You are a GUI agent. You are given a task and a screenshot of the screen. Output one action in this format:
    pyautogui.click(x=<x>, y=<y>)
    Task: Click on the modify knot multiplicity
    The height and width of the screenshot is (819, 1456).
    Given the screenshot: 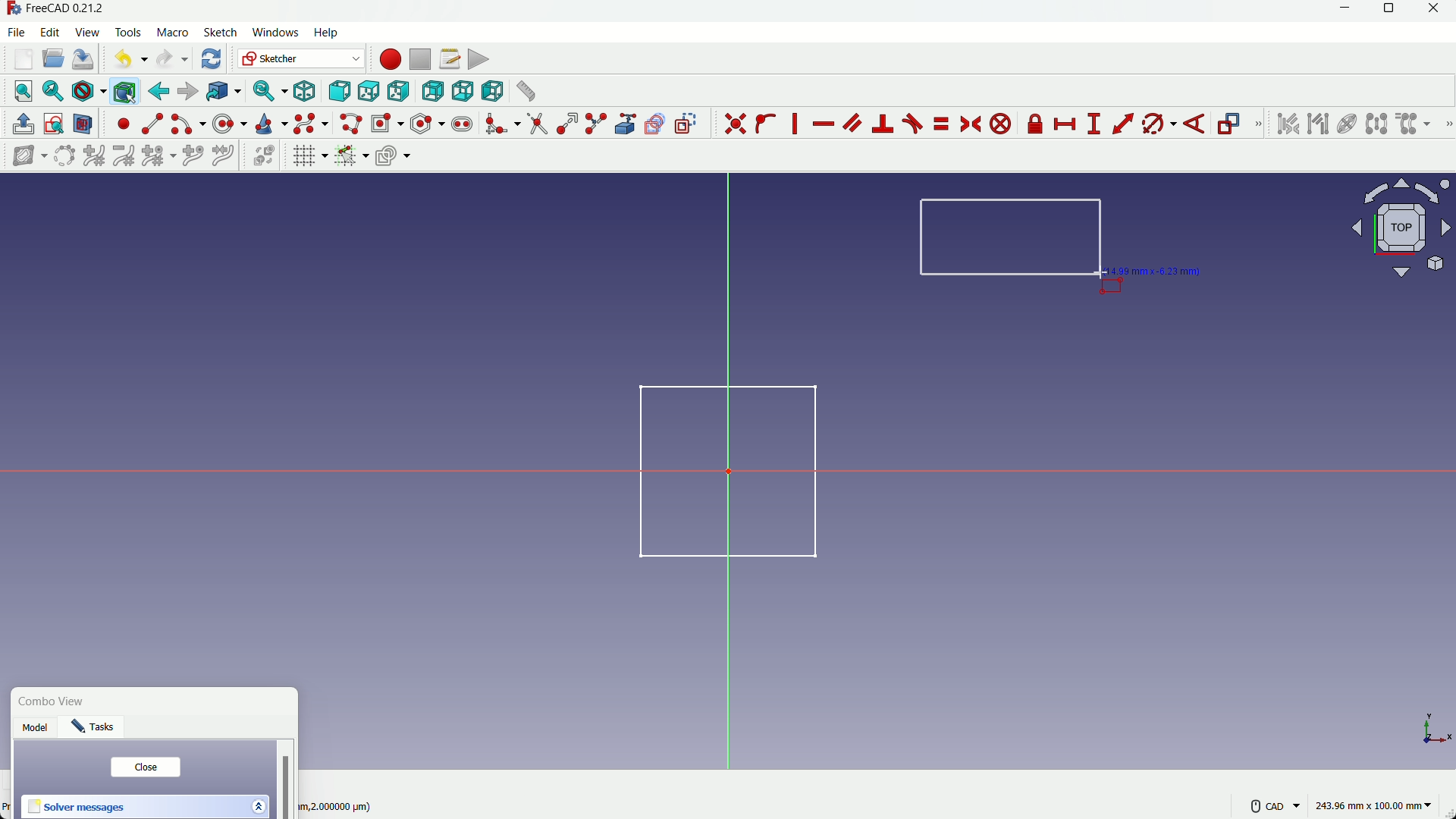 What is the action you would take?
    pyautogui.click(x=158, y=155)
    